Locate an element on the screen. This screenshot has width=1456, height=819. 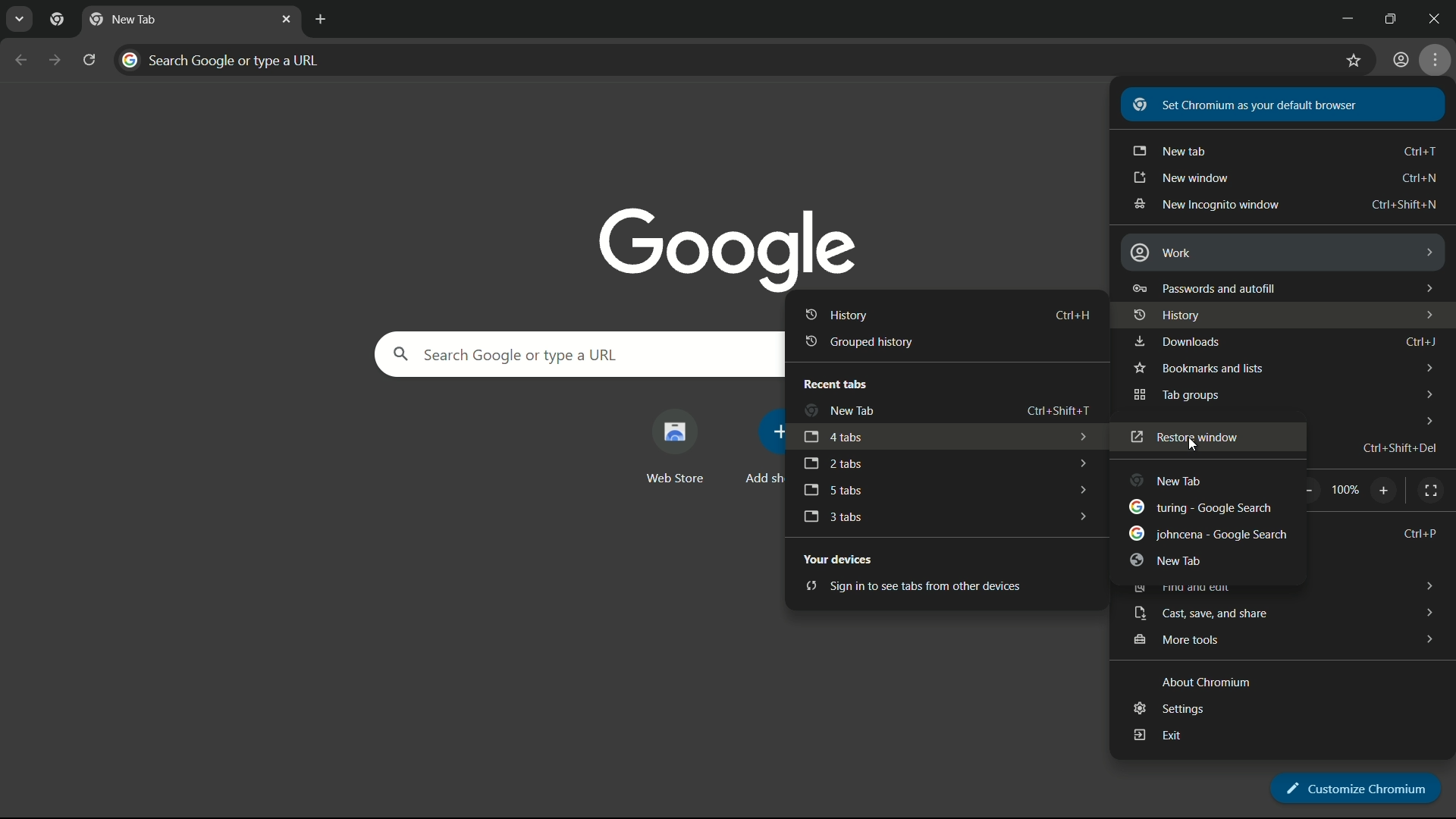
dropdown arrows is located at coordinates (1428, 582).